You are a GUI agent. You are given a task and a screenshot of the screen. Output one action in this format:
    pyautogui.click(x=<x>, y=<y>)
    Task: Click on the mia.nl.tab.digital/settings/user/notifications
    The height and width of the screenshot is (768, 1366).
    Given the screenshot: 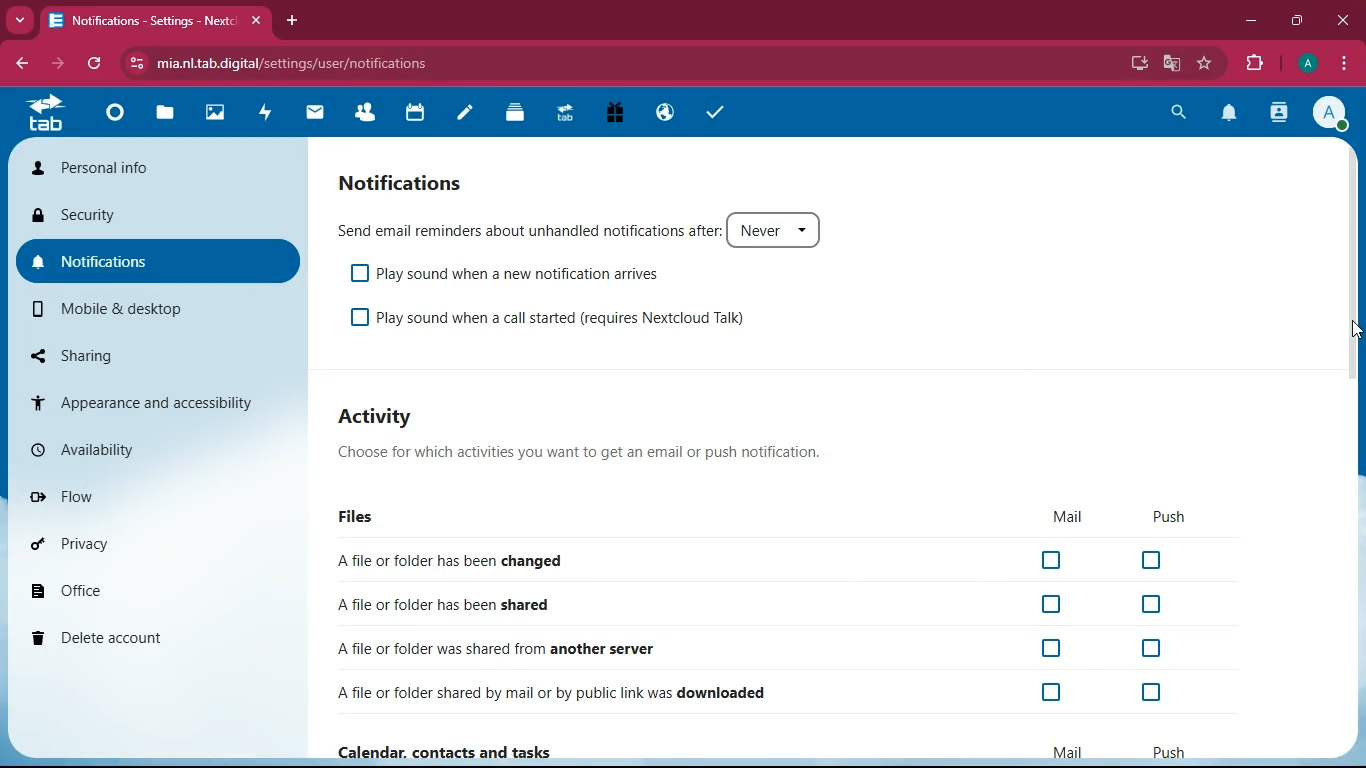 What is the action you would take?
    pyautogui.click(x=303, y=63)
    